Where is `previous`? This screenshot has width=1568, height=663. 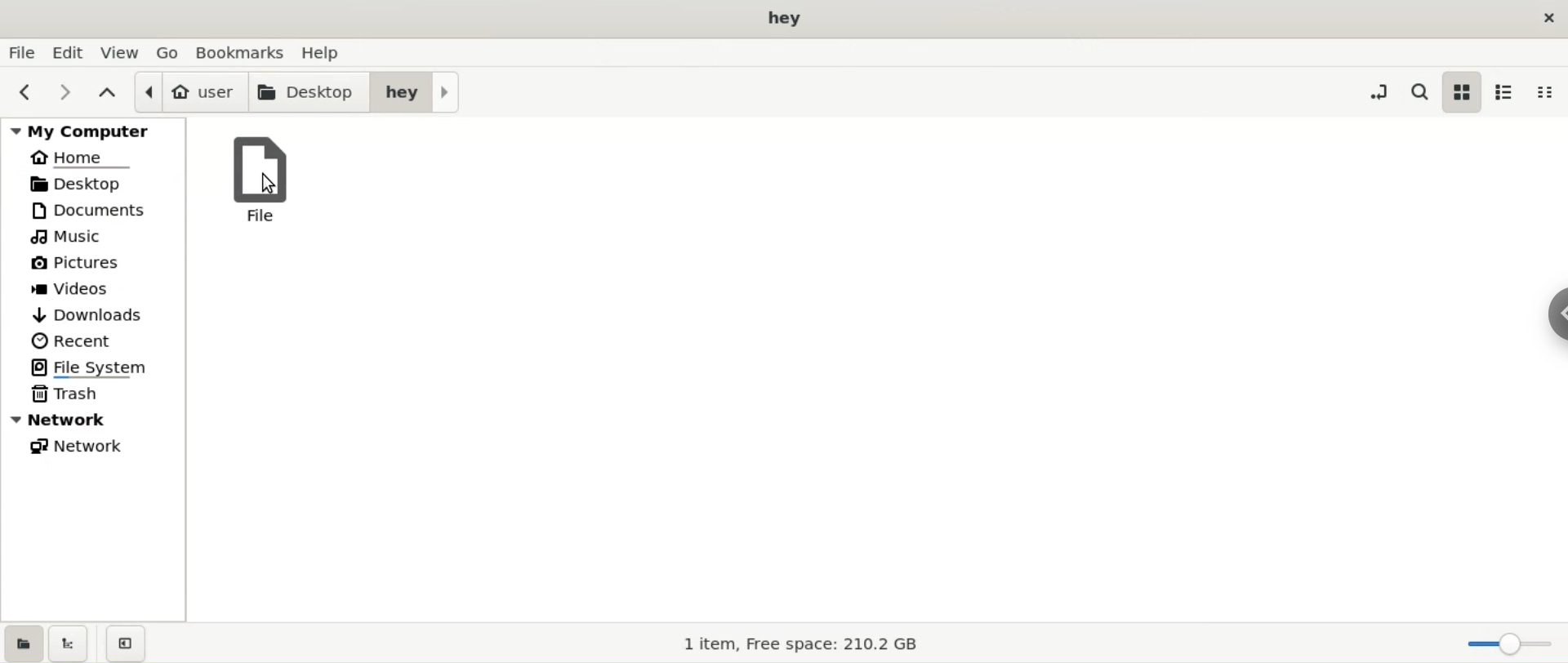 previous is located at coordinates (27, 90).